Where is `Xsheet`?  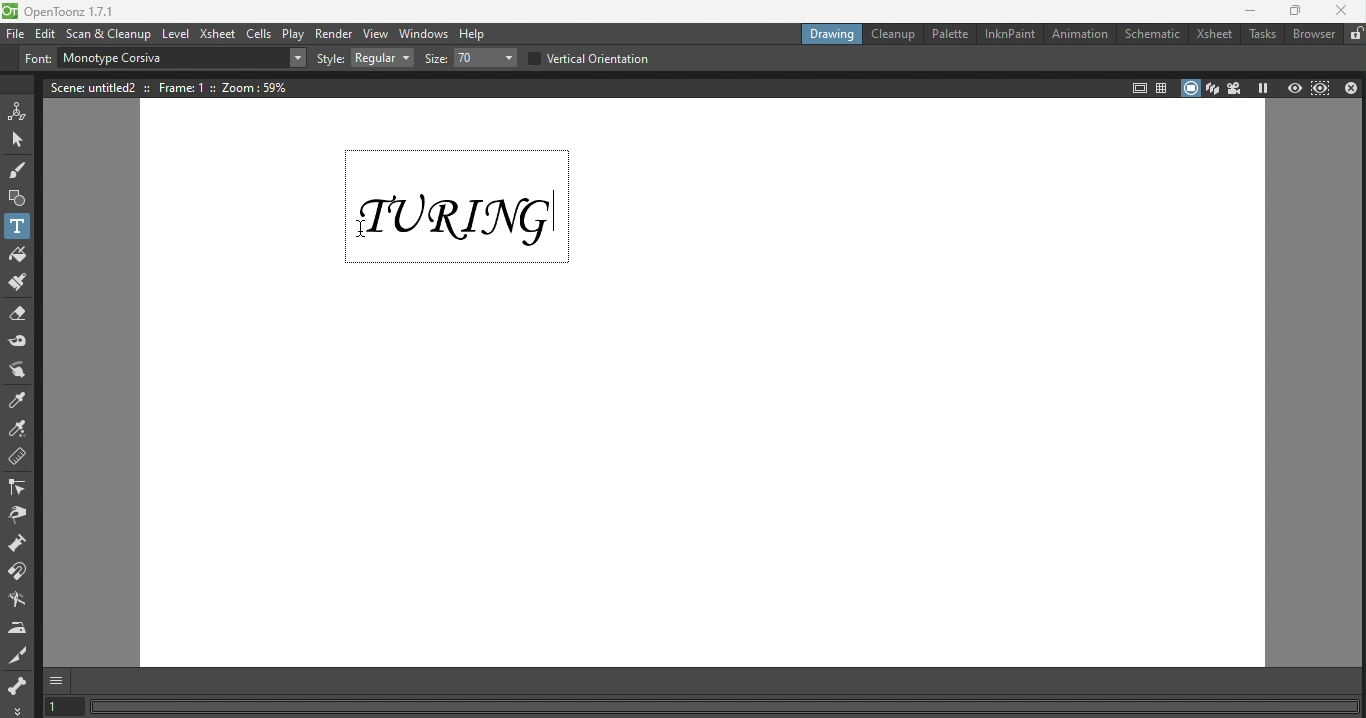 Xsheet is located at coordinates (218, 34).